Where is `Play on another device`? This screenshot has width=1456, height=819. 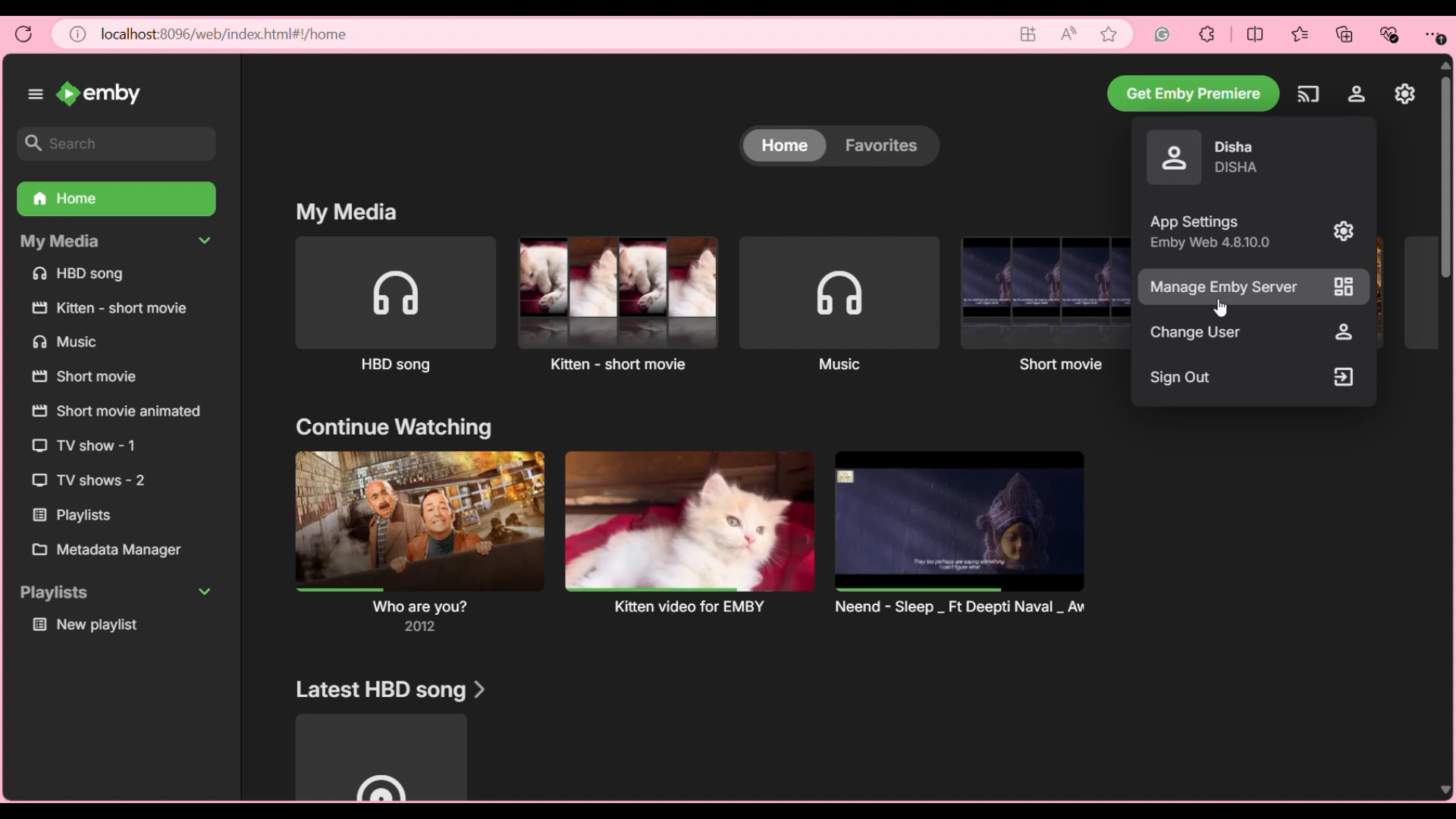
Play on another device is located at coordinates (1308, 94).